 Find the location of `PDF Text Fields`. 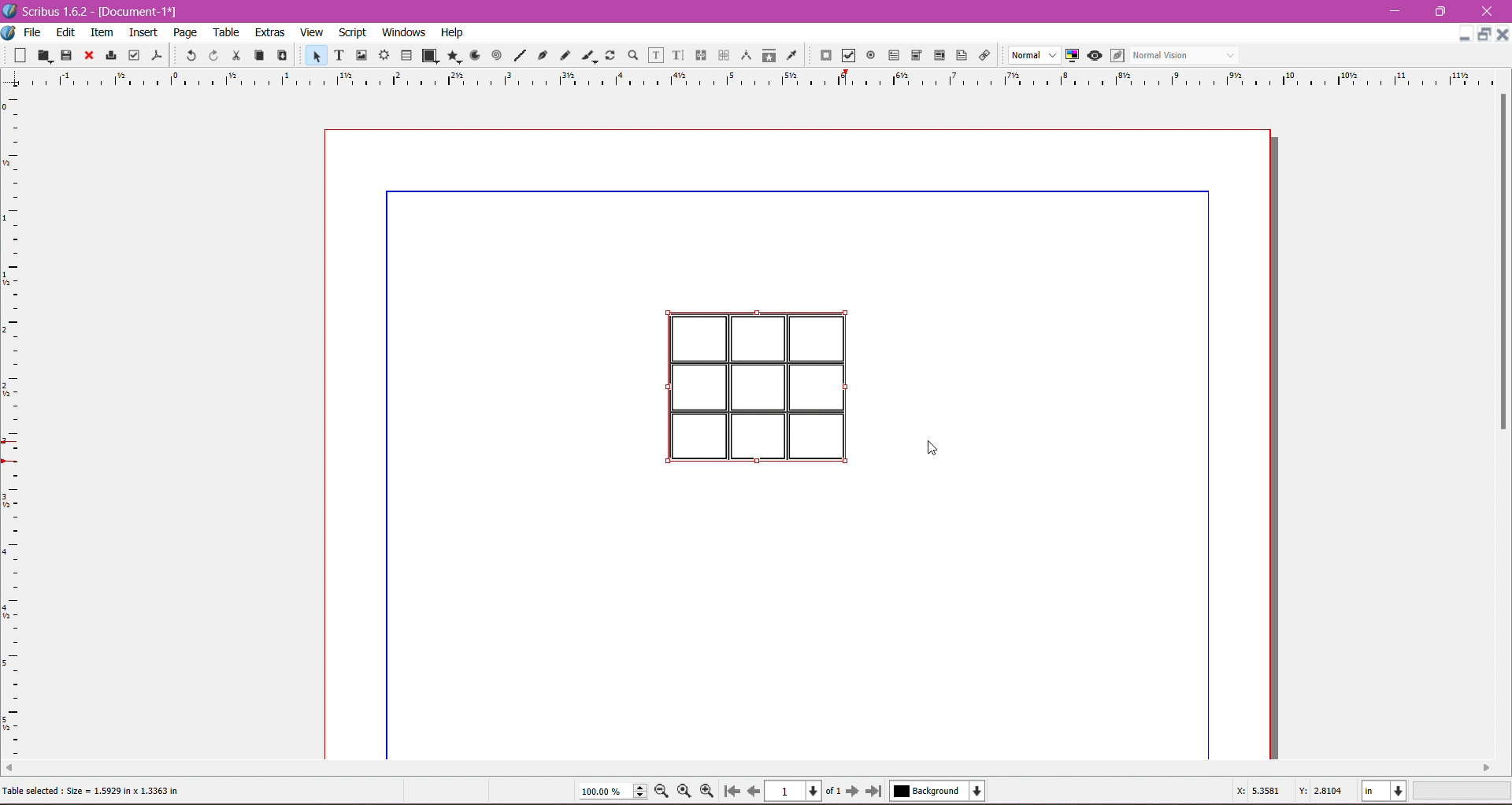

PDF Text Fields is located at coordinates (891, 56).